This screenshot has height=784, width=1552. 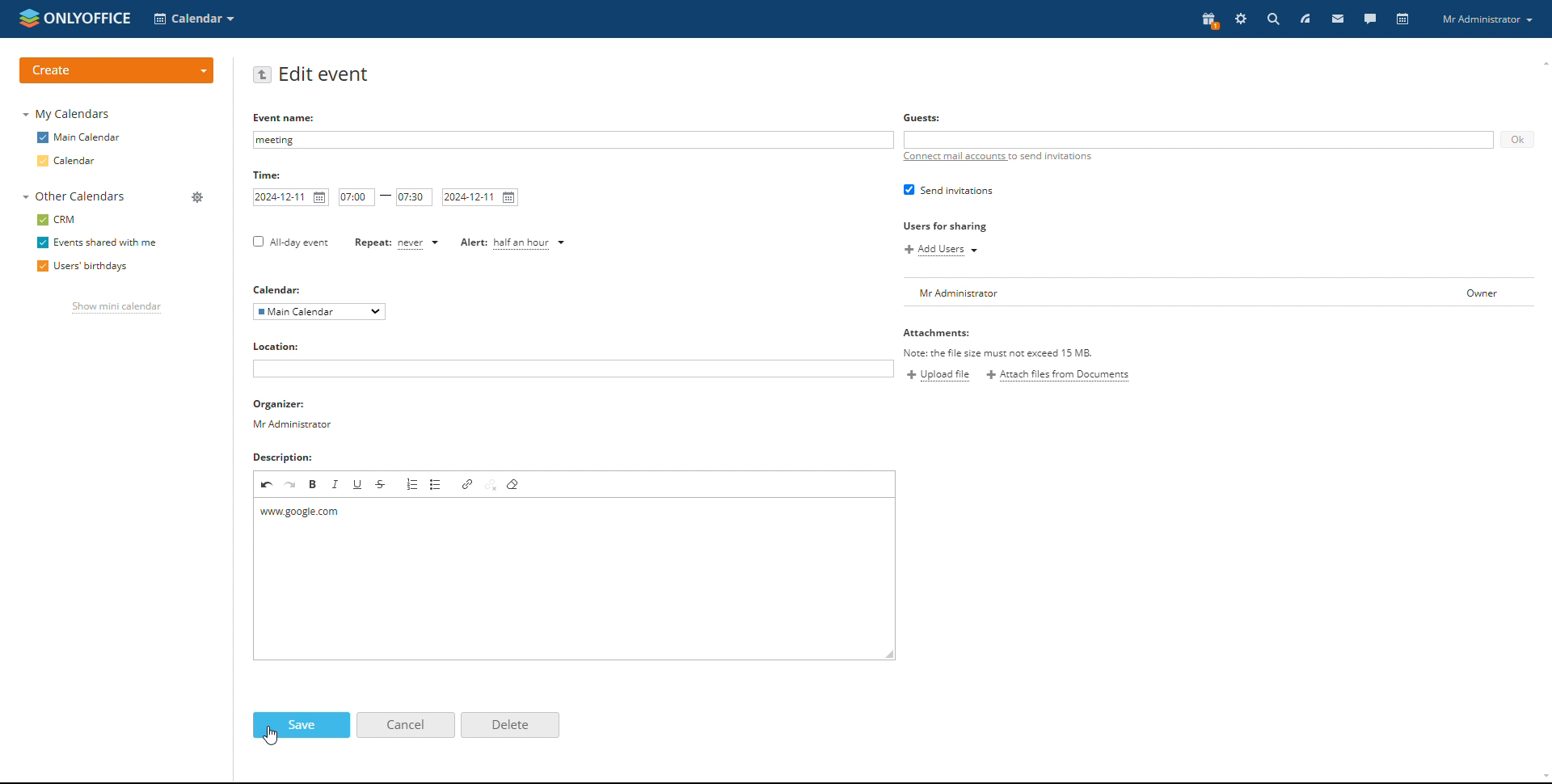 I want to click on Event name:, so click(x=286, y=117).